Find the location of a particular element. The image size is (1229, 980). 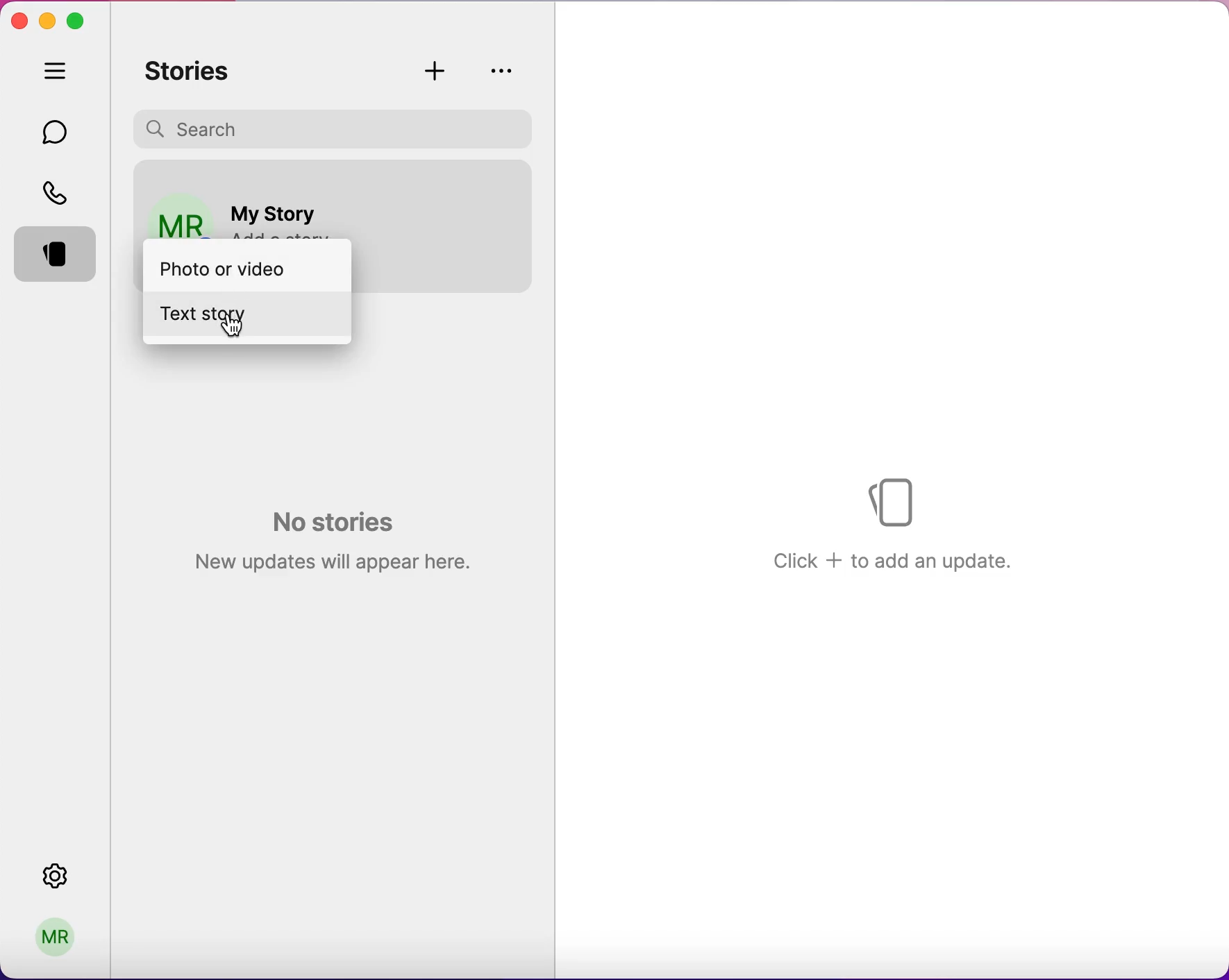

Stories logo is located at coordinates (896, 499).